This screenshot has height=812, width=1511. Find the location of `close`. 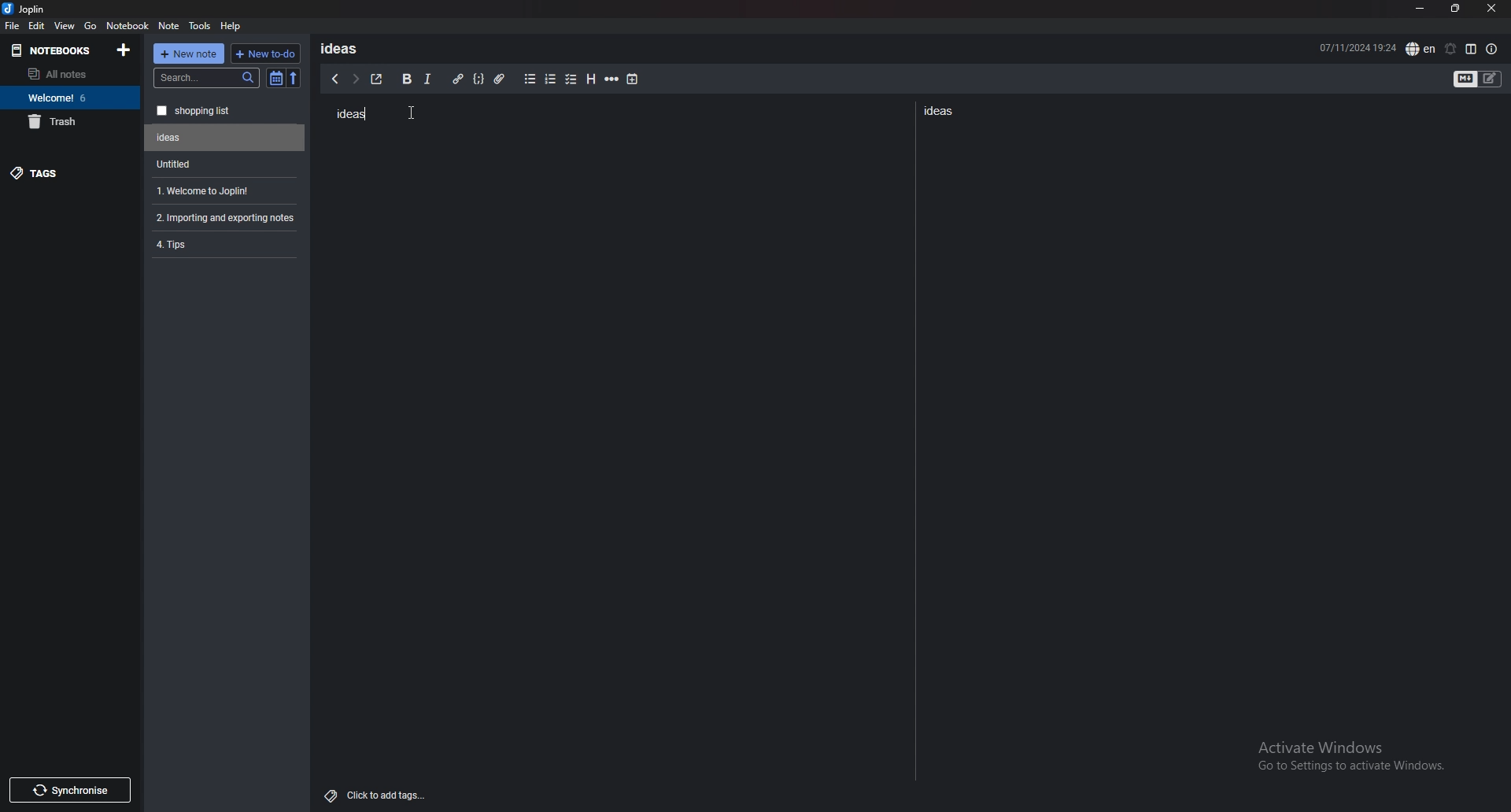

close is located at coordinates (1491, 9).